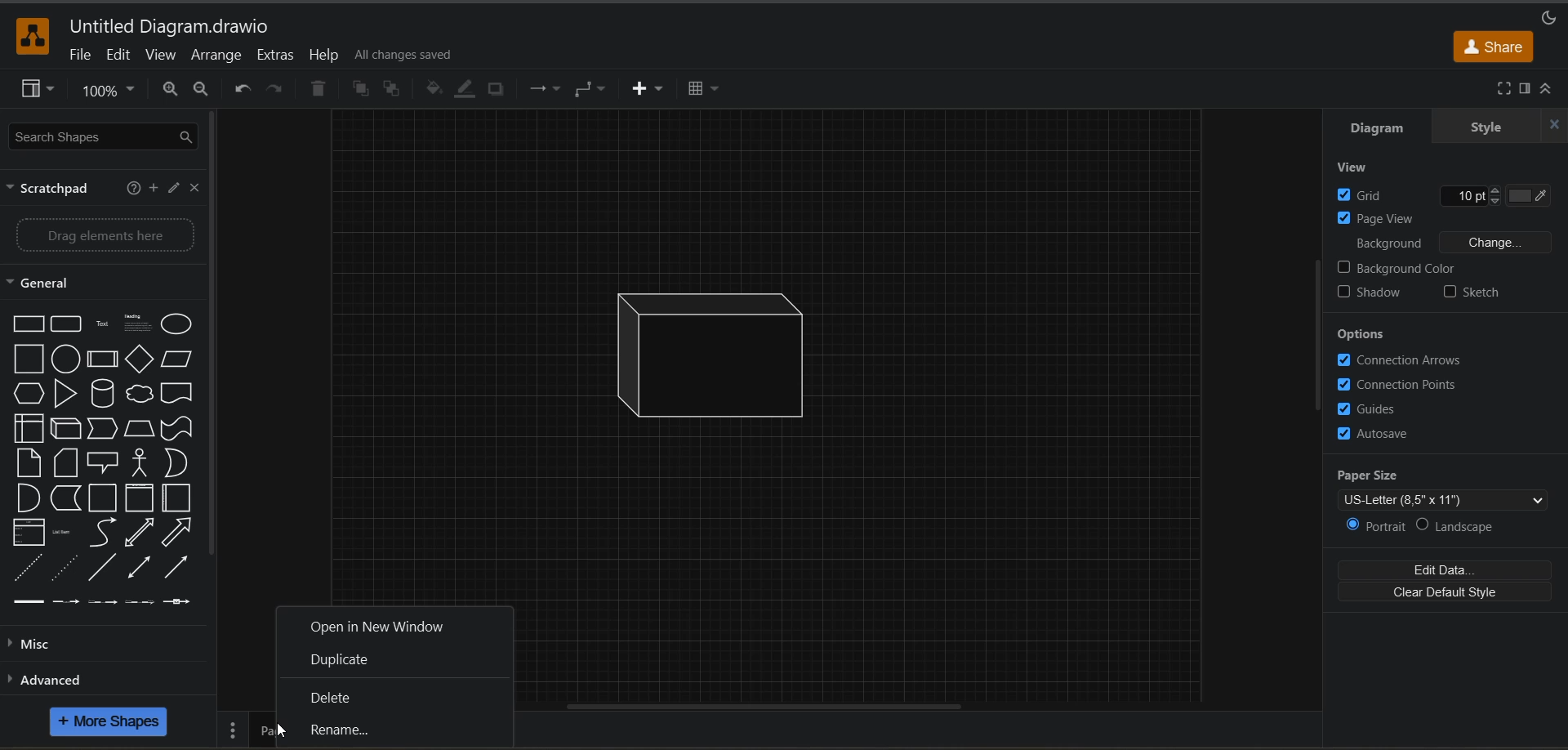 The image size is (1568, 750). I want to click on line color, so click(469, 90).